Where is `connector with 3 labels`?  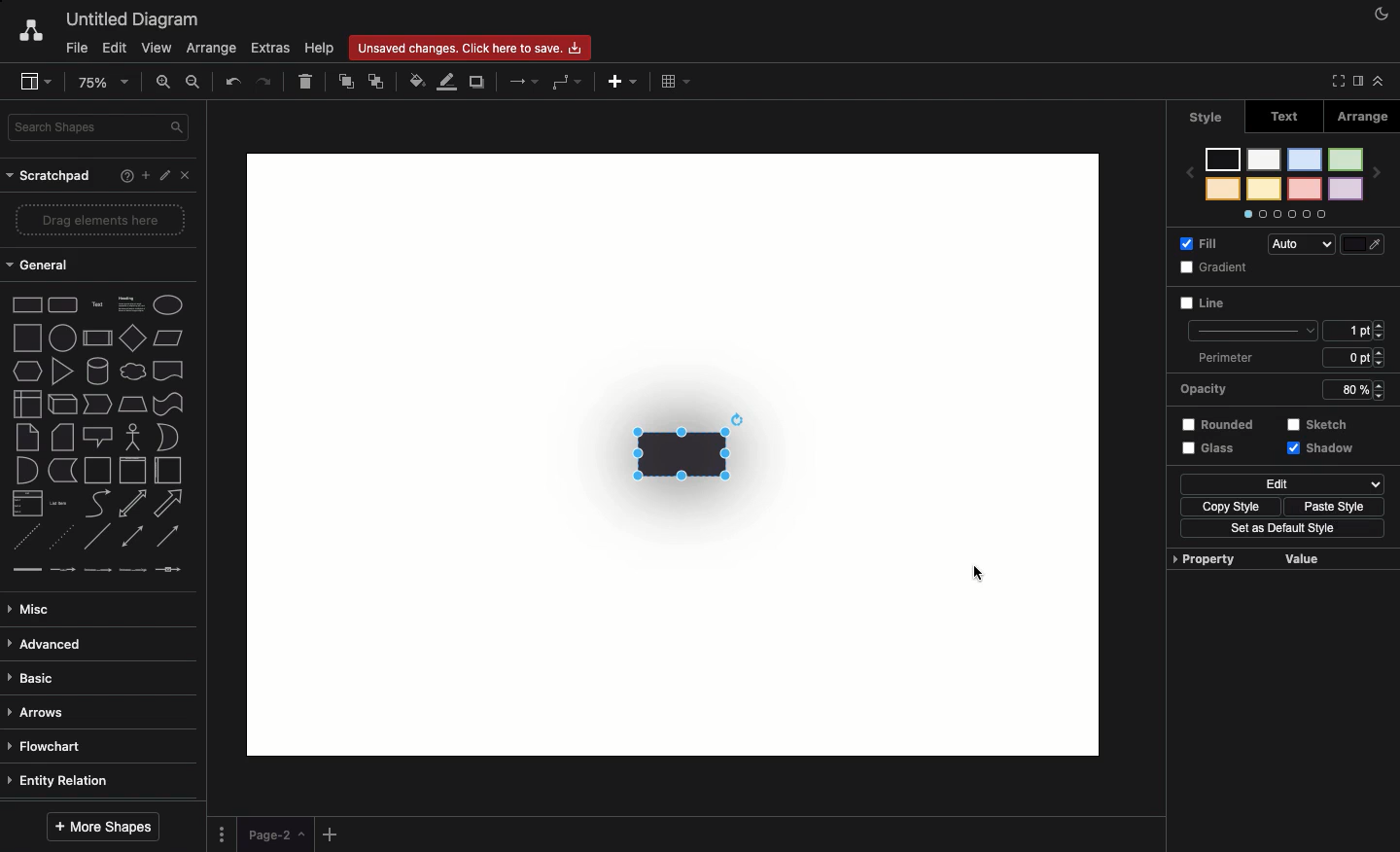 connector with 3 labels is located at coordinates (132, 570).